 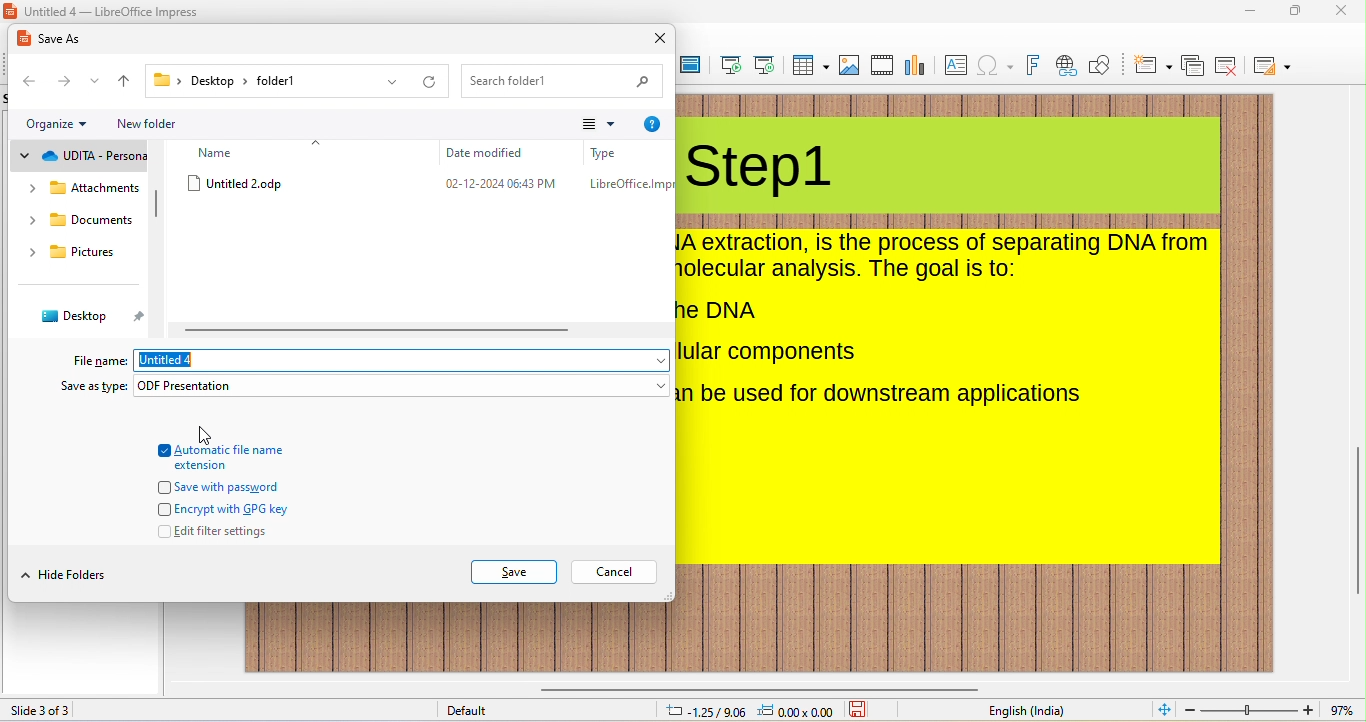 I want to click on name, so click(x=225, y=152).